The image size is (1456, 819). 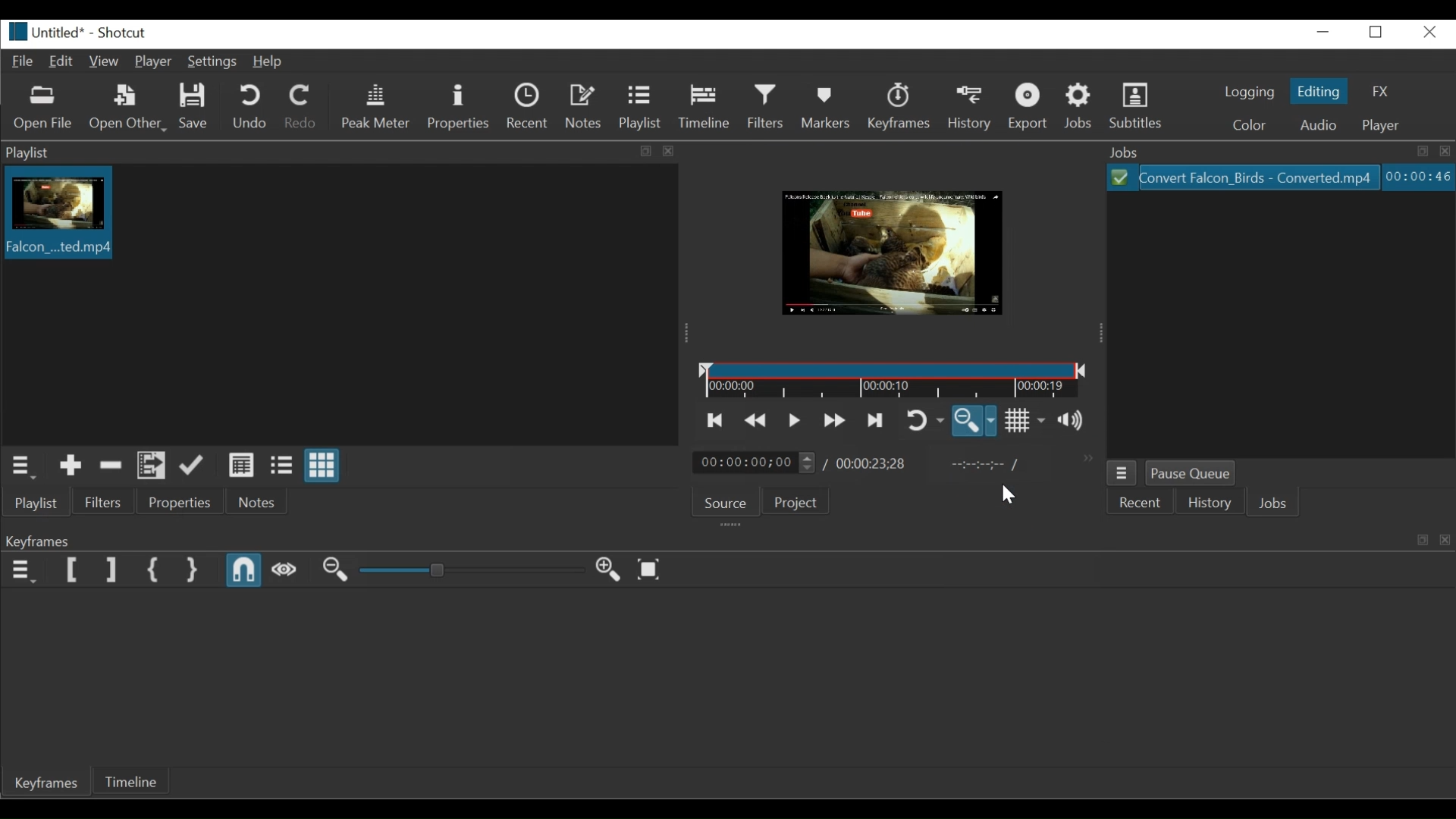 What do you see at coordinates (1318, 89) in the screenshot?
I see `Editing` at bounding box center [1318, 89].